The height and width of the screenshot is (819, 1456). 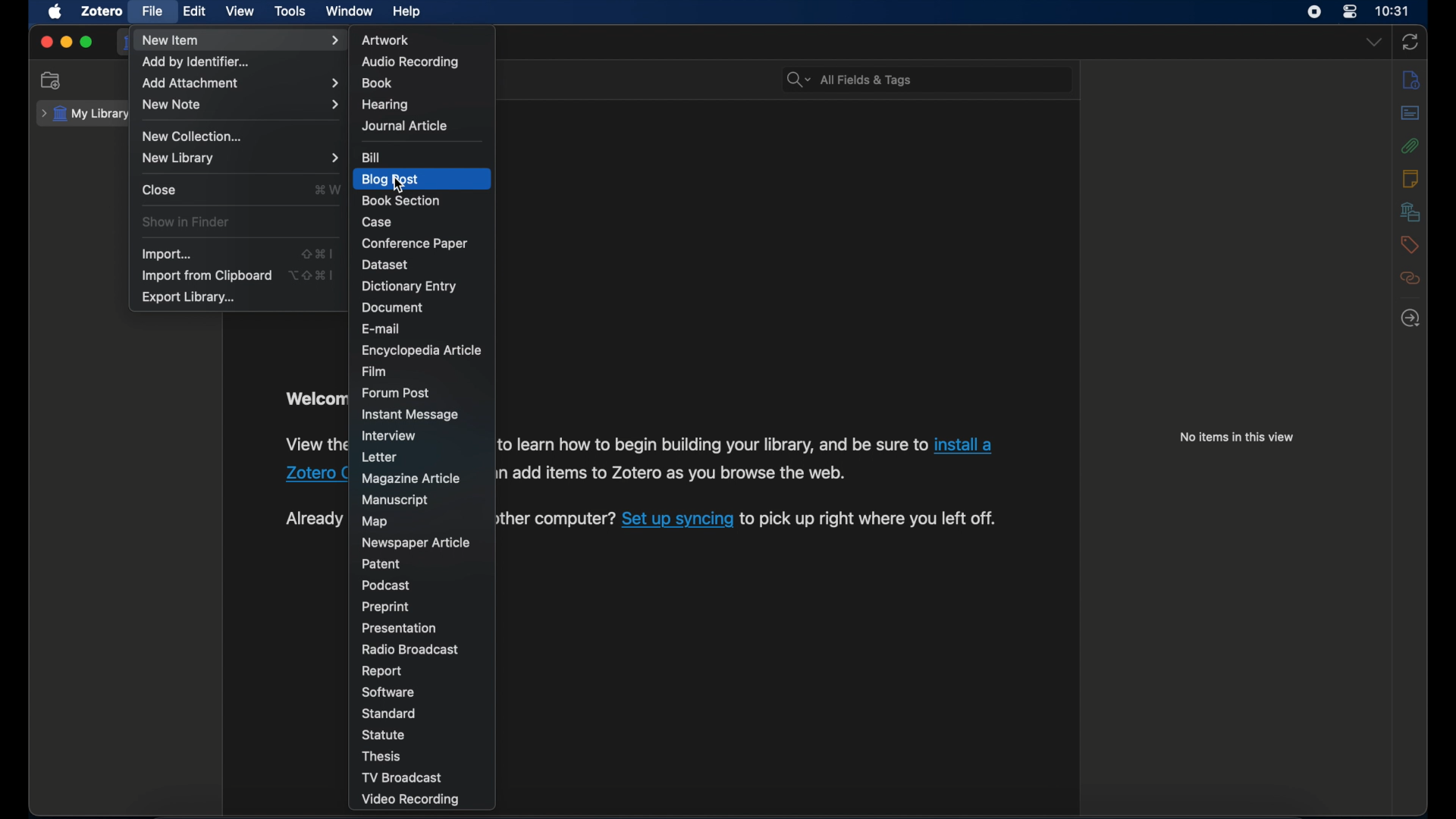 What do you see at coordinates (401, 201) in the screenshot?
I see `book section` at bounding box center [401, 201].